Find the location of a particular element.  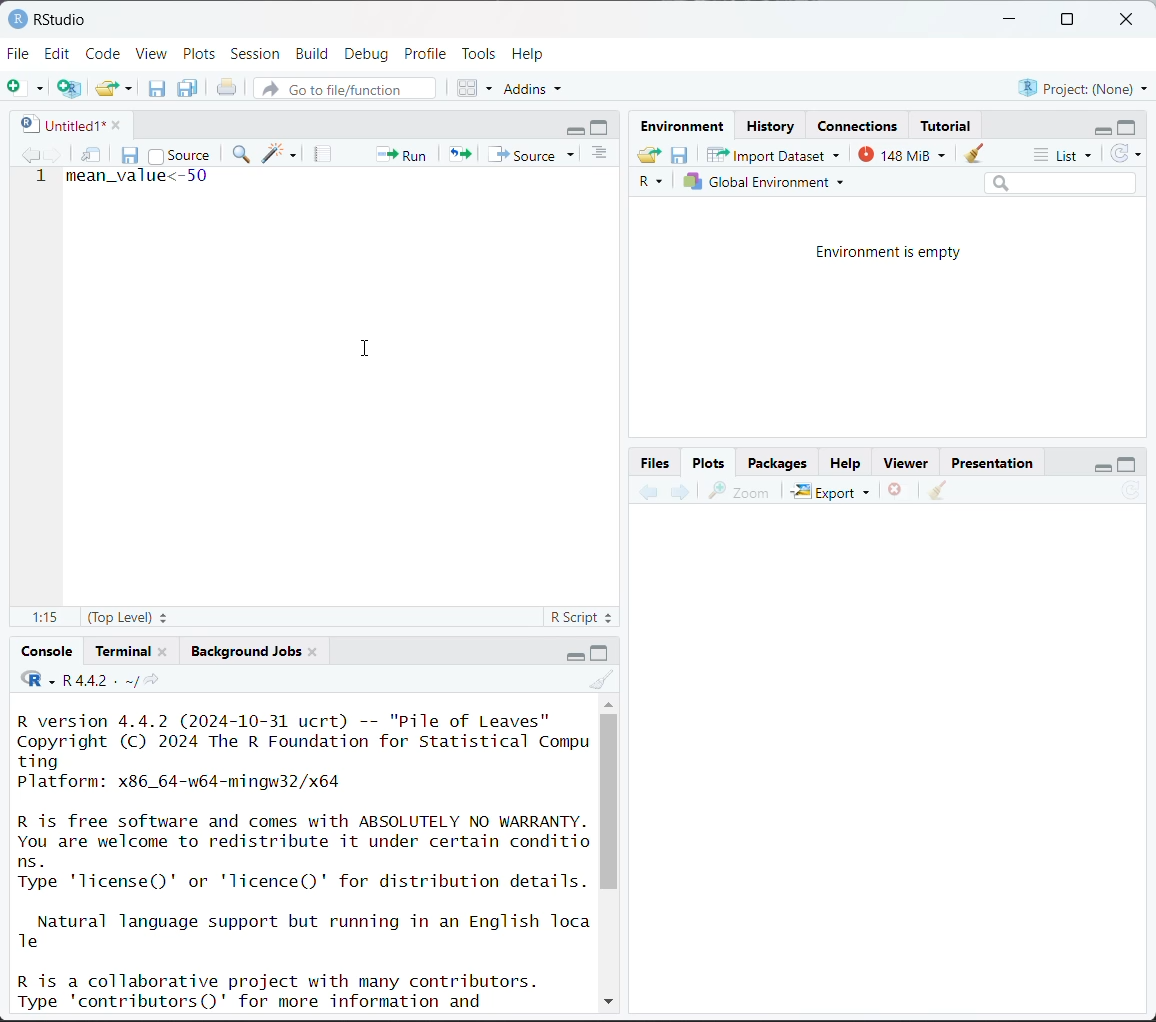

minimize is located at coordinates (1099, 128).